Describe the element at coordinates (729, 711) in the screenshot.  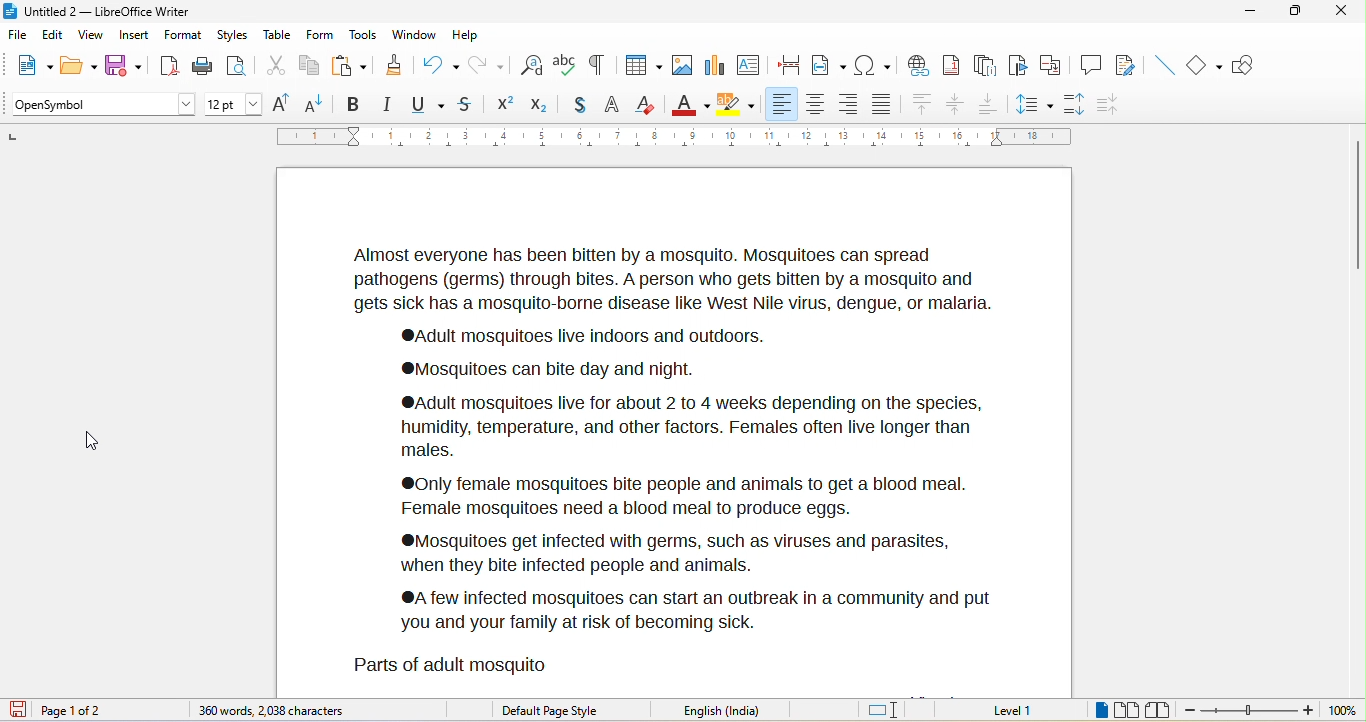
I see `text language` at that location.